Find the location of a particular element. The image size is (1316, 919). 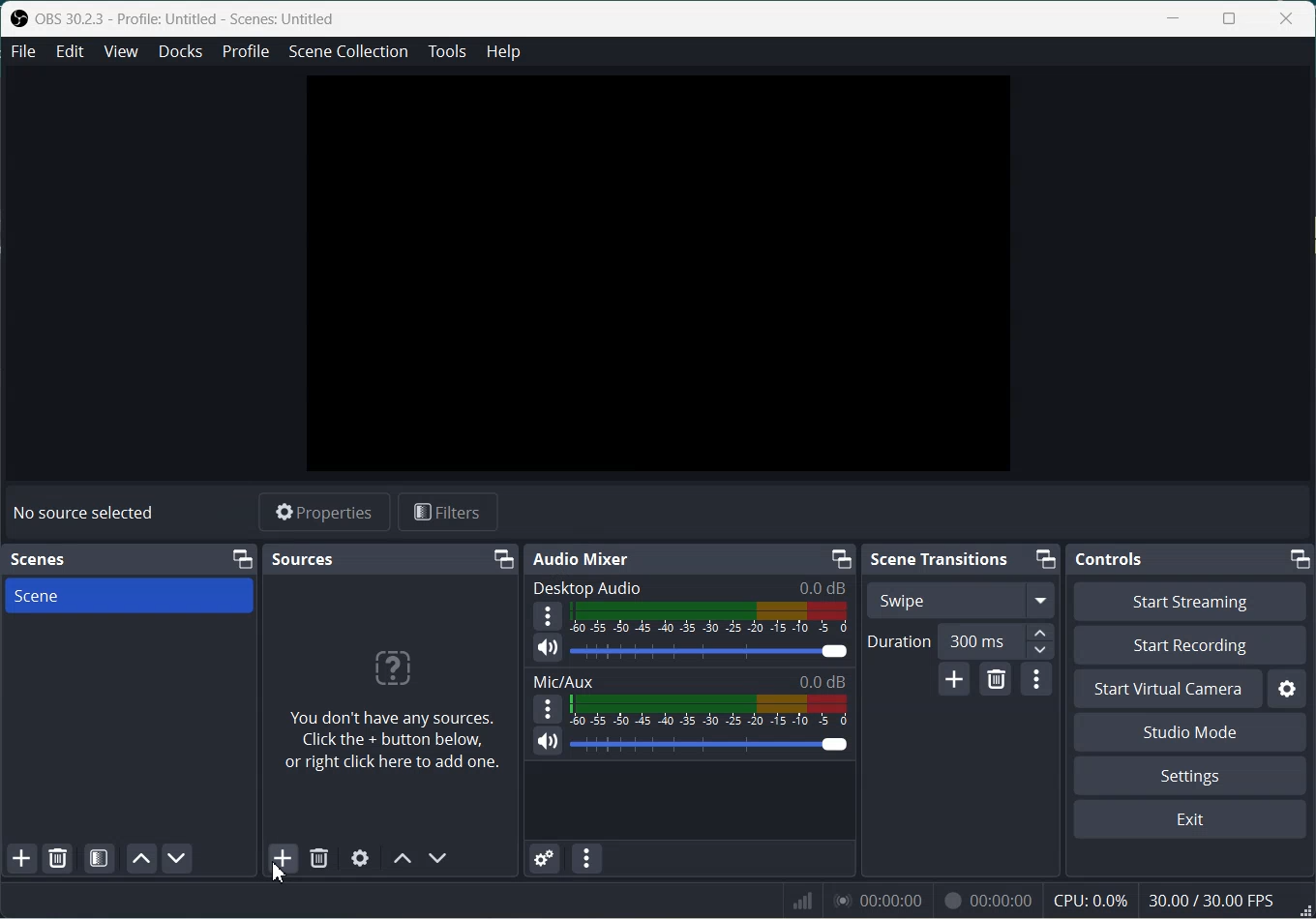

Scene Transitions is located at coordinates (942, 559).